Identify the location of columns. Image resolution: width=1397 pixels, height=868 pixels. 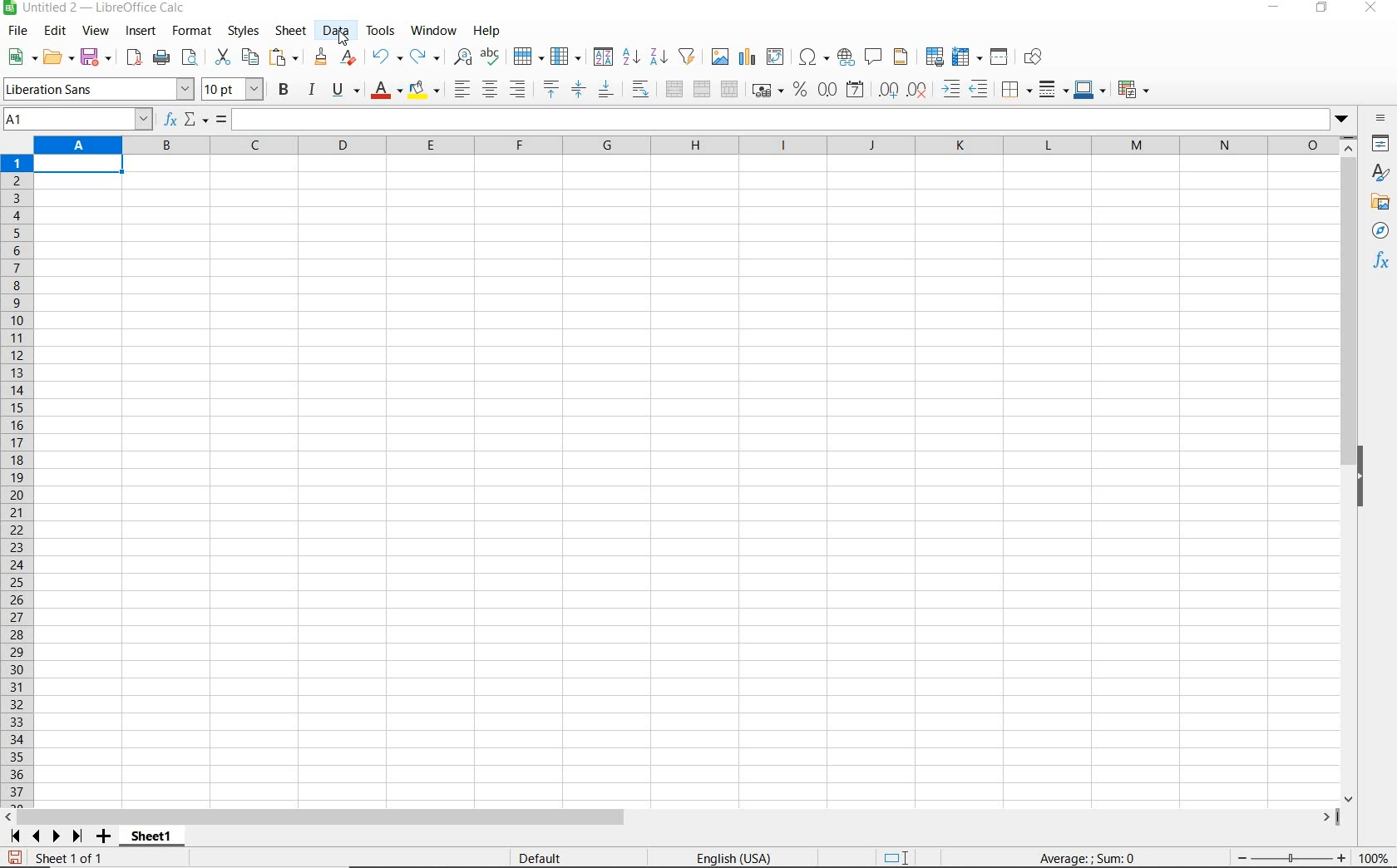
(684, 146).